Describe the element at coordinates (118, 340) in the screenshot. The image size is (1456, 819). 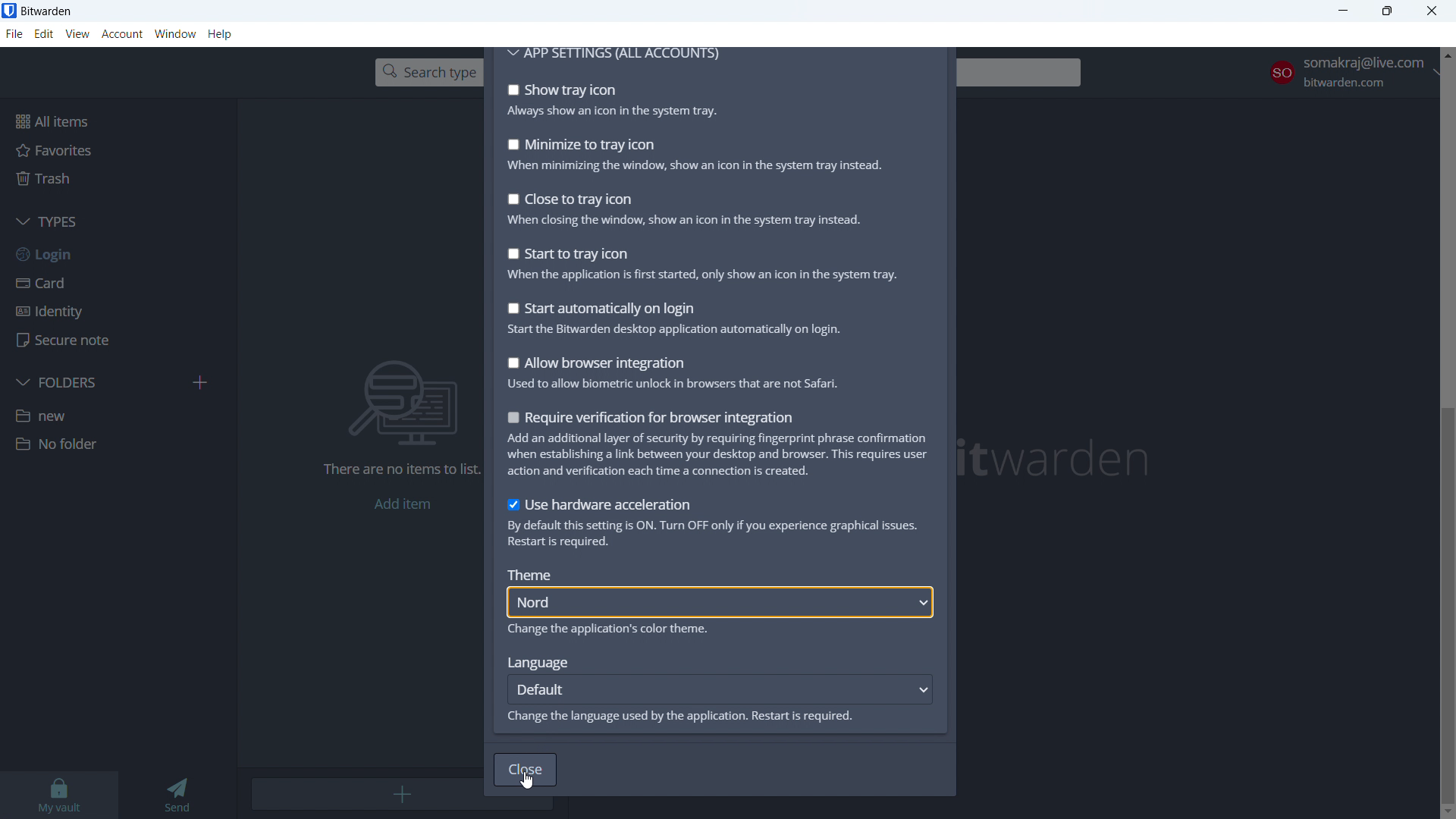
I see `secure note` at that location.